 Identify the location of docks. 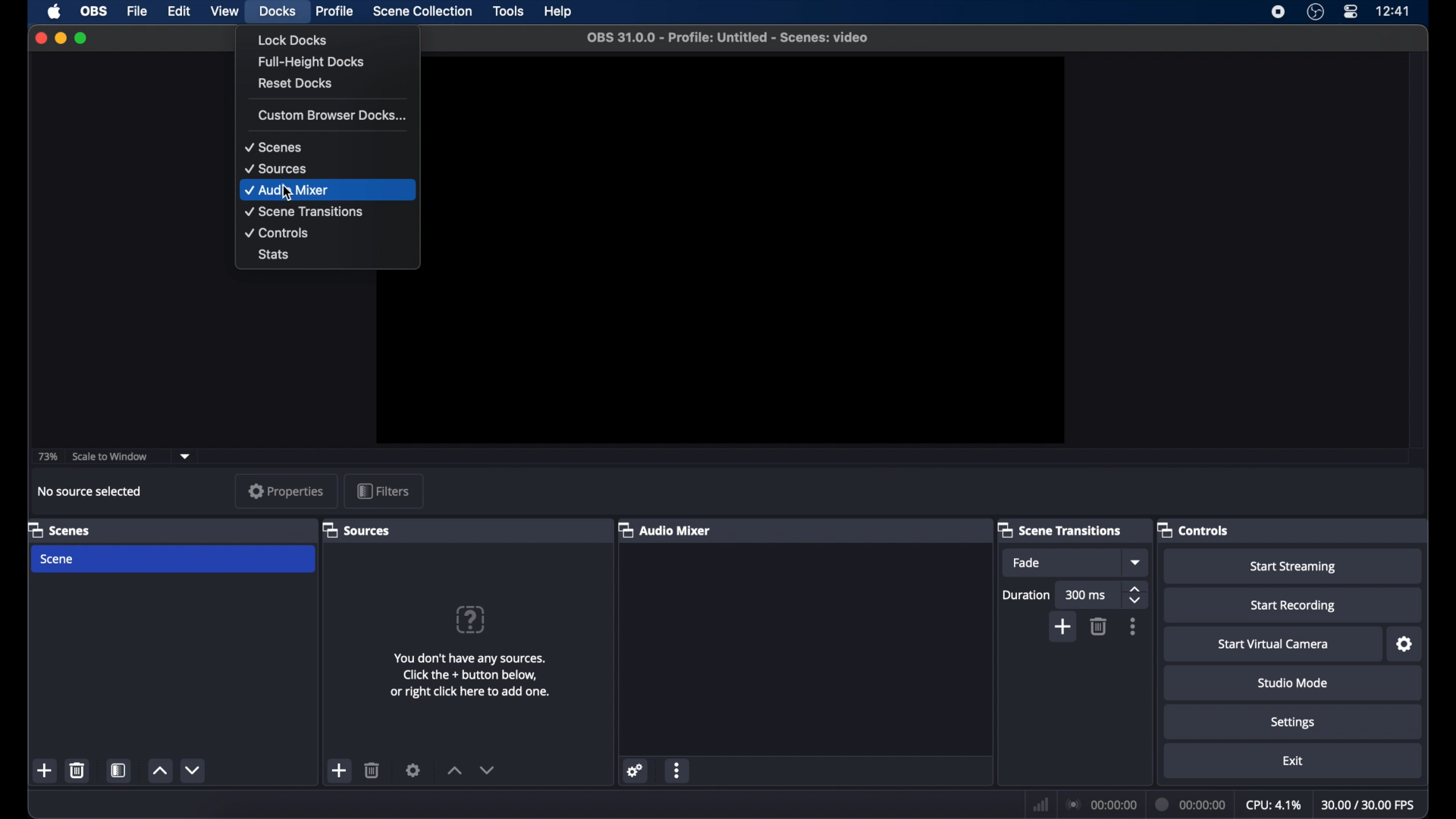
(278, 11).